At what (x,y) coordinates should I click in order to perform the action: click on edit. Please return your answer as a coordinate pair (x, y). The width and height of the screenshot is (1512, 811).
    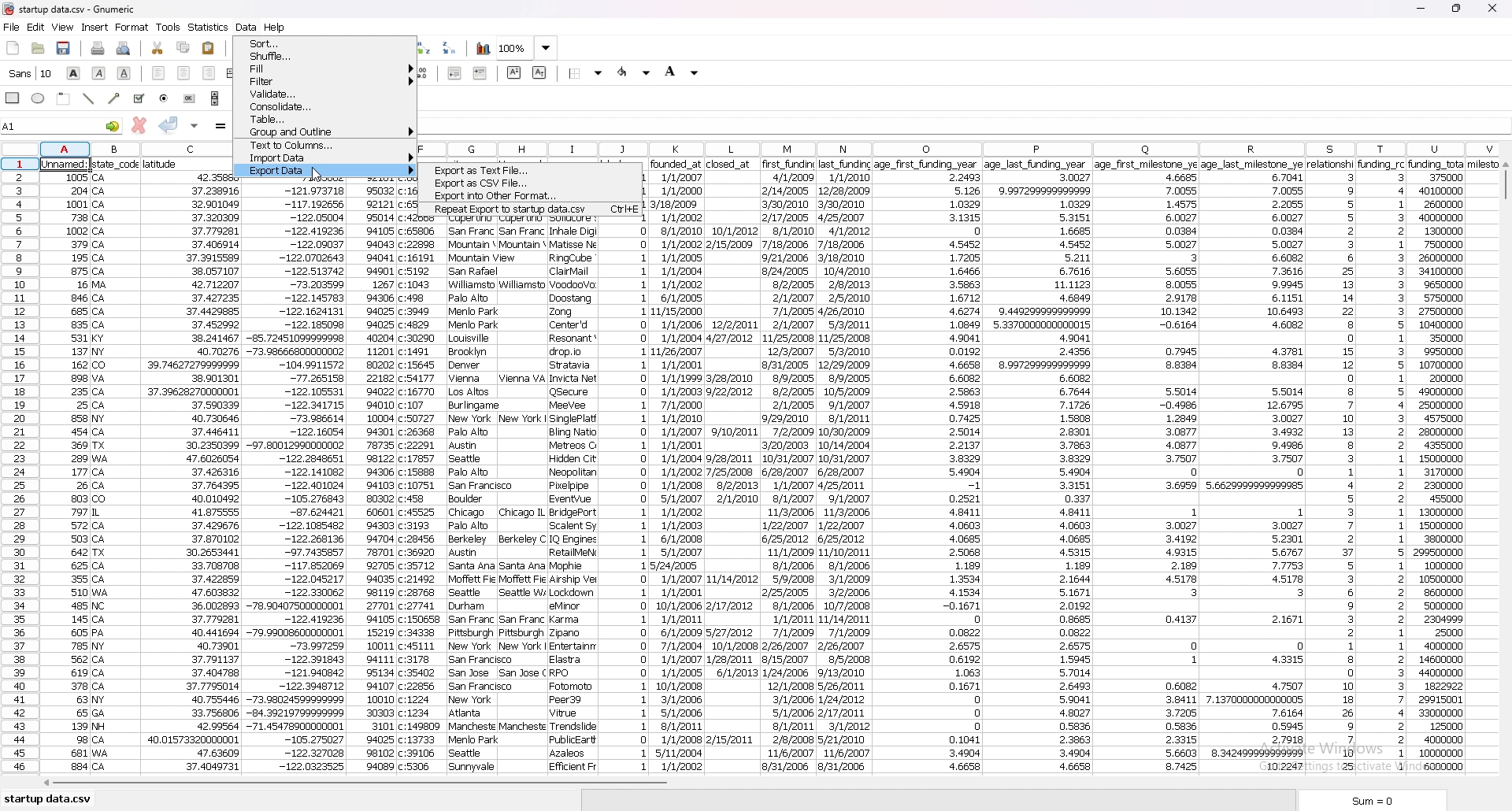
    Looking at the image, I should click on (36, 28).